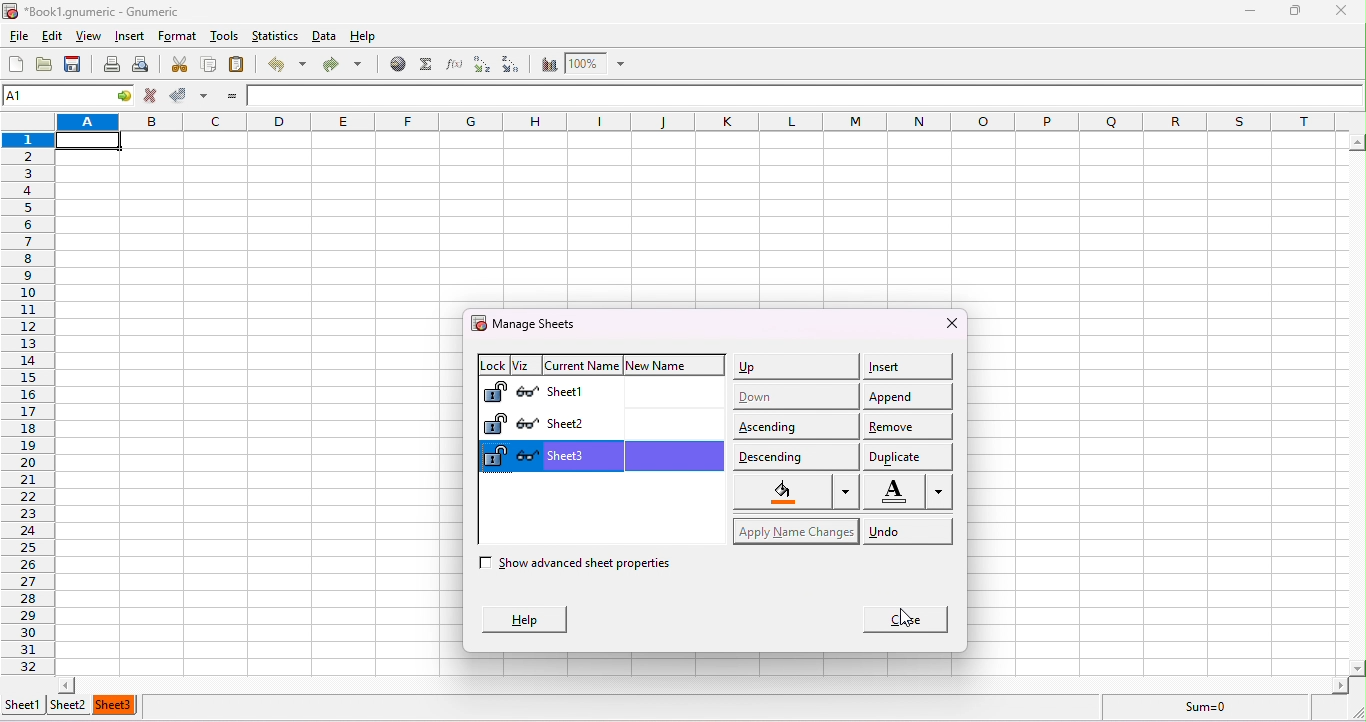 The height and width of the screenshot is (722, 1366). What do you see at coordinates (495, 424) in the screenshot?
I see `Lock sheet 2` at bounding box center [495, 424].